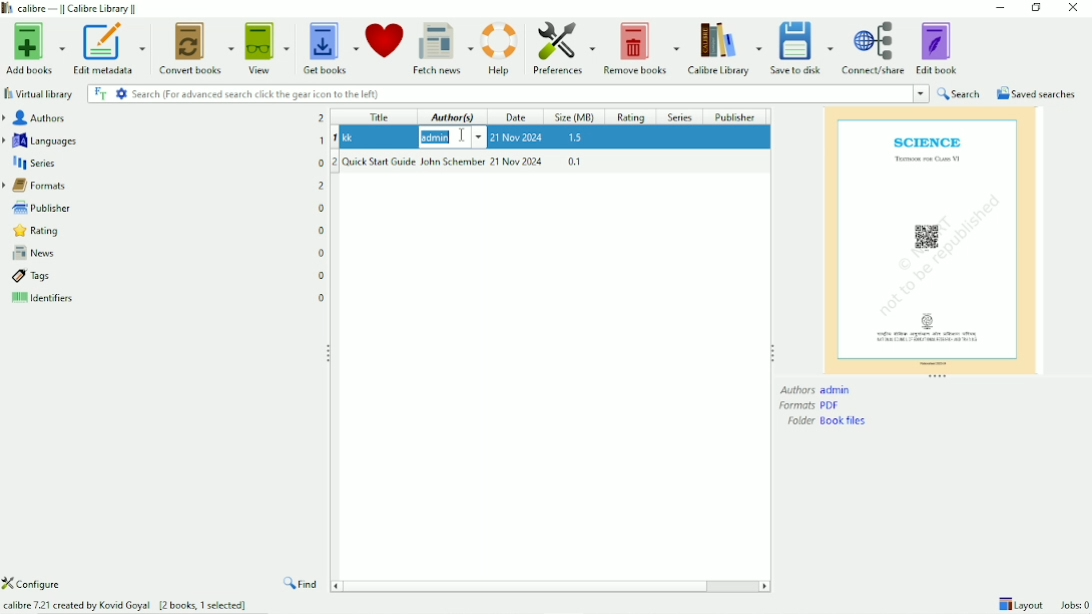  I want to click on Horizontal scrollbar, so click(531, 585).